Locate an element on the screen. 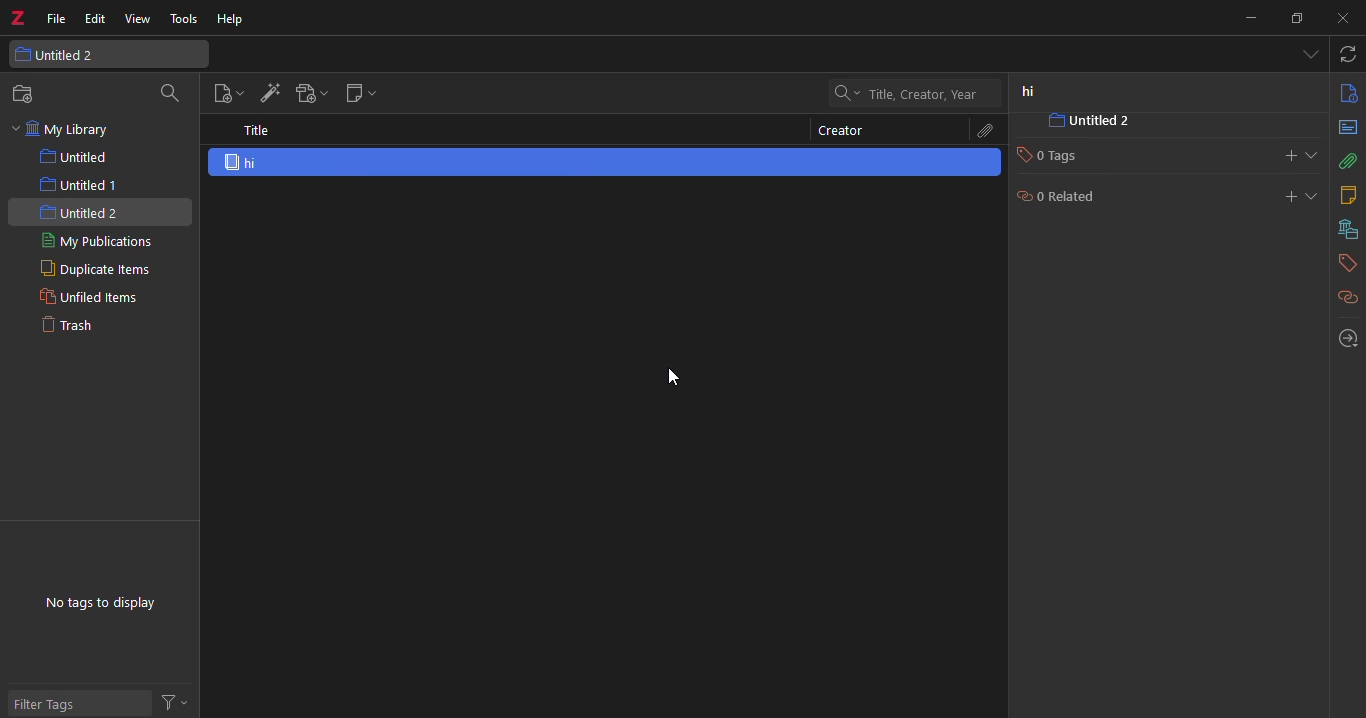 The image size is (1366, 718). close is located at coordinates (1342, 17).